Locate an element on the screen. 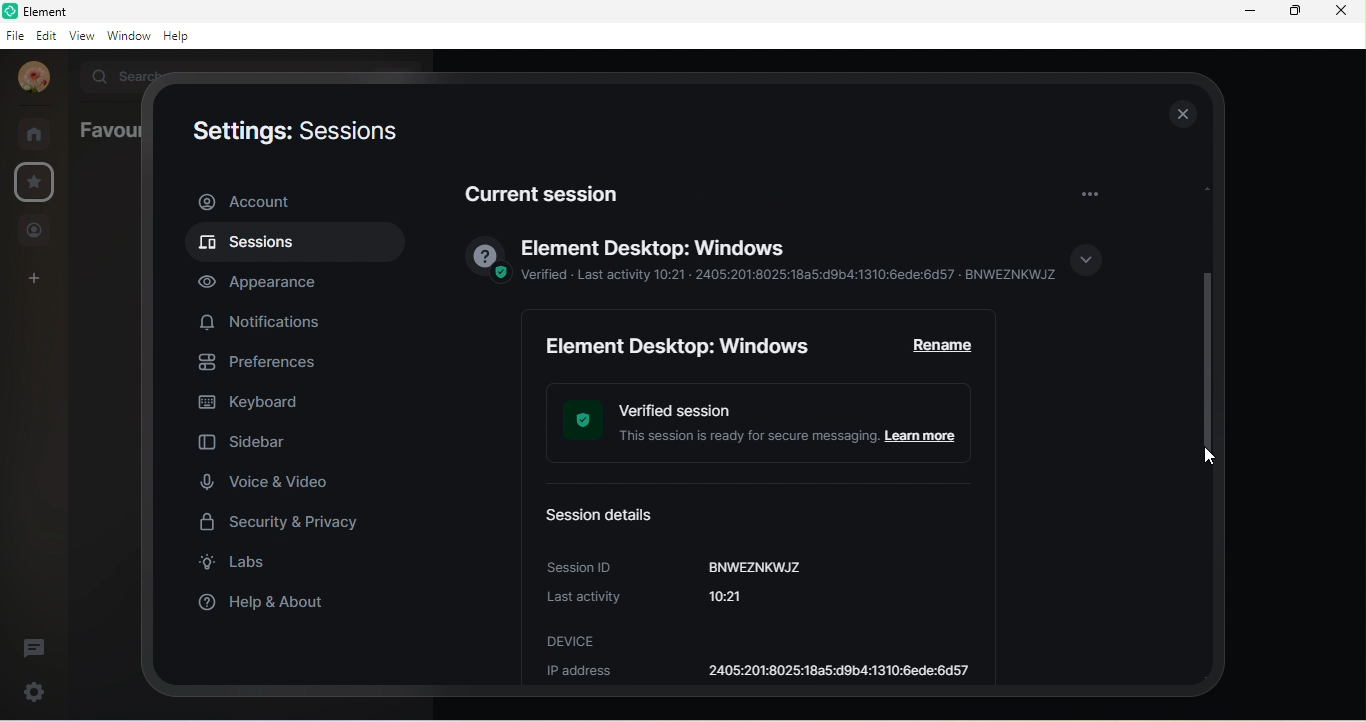 This screenshot has width=1366, height=722. account is located at coordinates (33, 77).